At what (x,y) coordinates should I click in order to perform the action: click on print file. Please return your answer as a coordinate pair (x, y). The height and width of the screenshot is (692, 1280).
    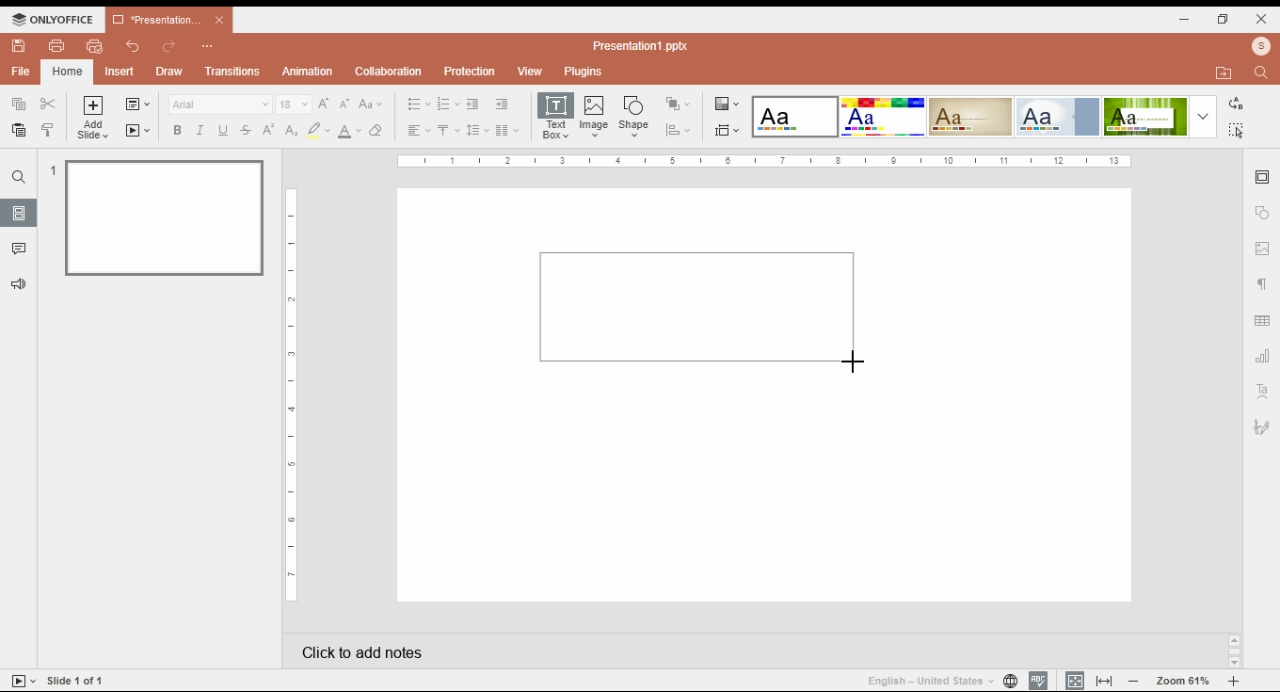
    Looking at the image, I should click on (55, 46).